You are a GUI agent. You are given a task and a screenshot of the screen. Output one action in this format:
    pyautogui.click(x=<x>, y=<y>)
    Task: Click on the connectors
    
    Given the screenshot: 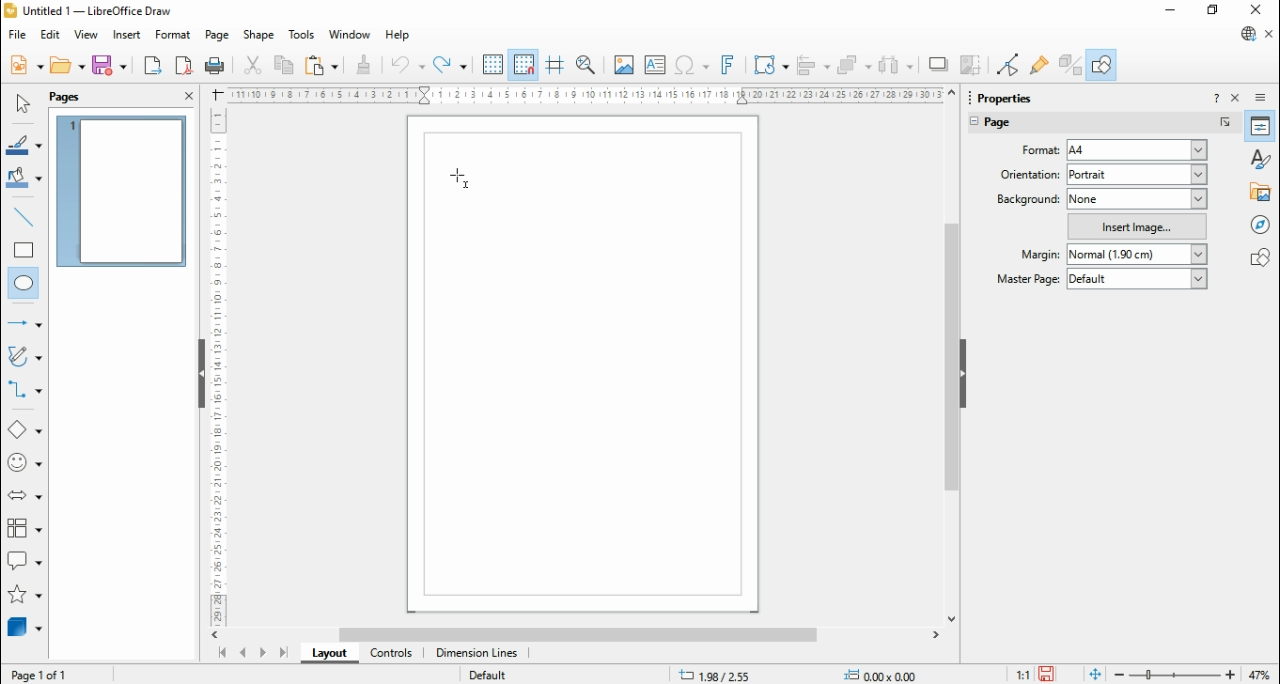 What is the action you would take?
    pyautogui.click(x=25, y=390)
    